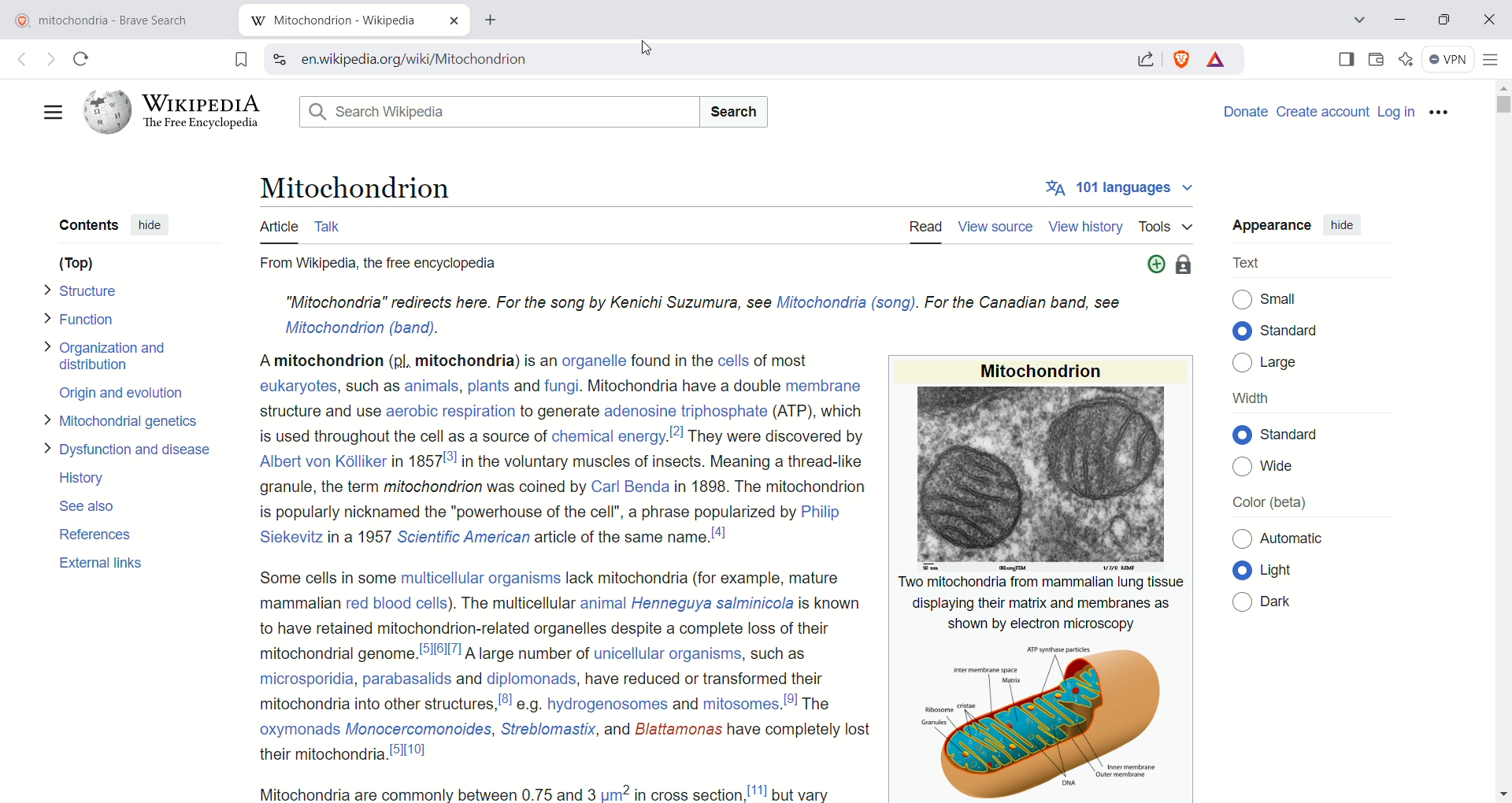 This screenshot has height=803, width=1512. What do you see at coordinates (123, 422) in the screenshot?
I see `> Mitochondrial genetics` at bounding box center [123, 422].